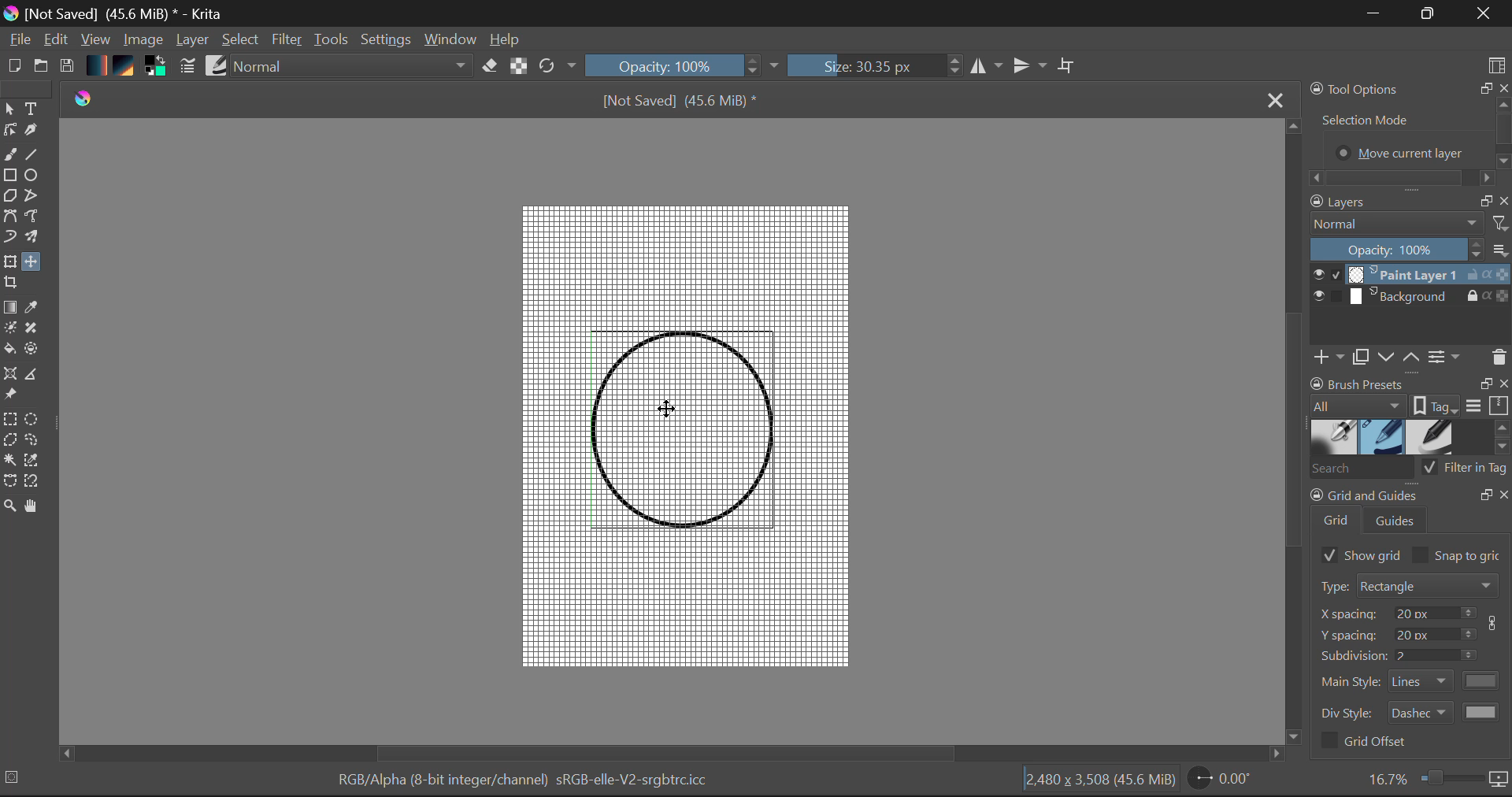 The image size is (1512, 797). Describe the element at coordinates (117, 13) in the screenshot. I see `Window Title` at that location.